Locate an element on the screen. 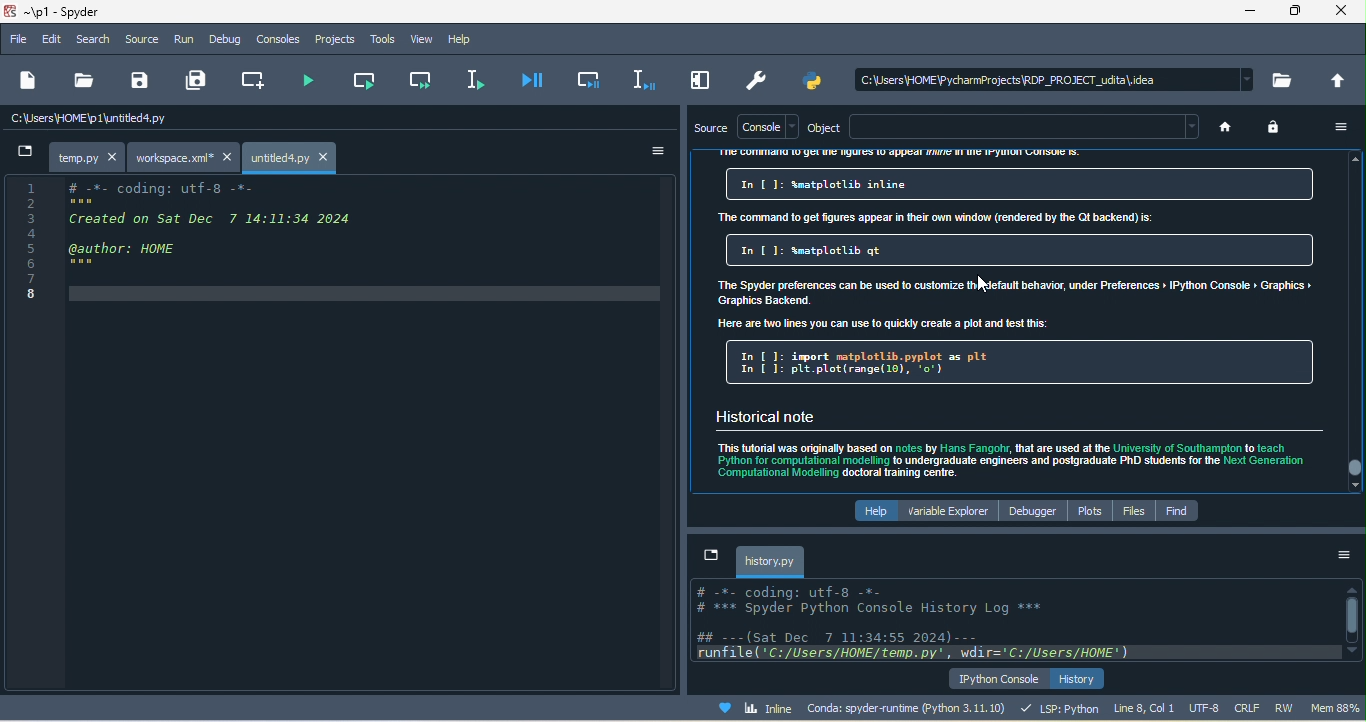 This screenshot has height=722, width=1366. open is located at coordinates (80, 82).